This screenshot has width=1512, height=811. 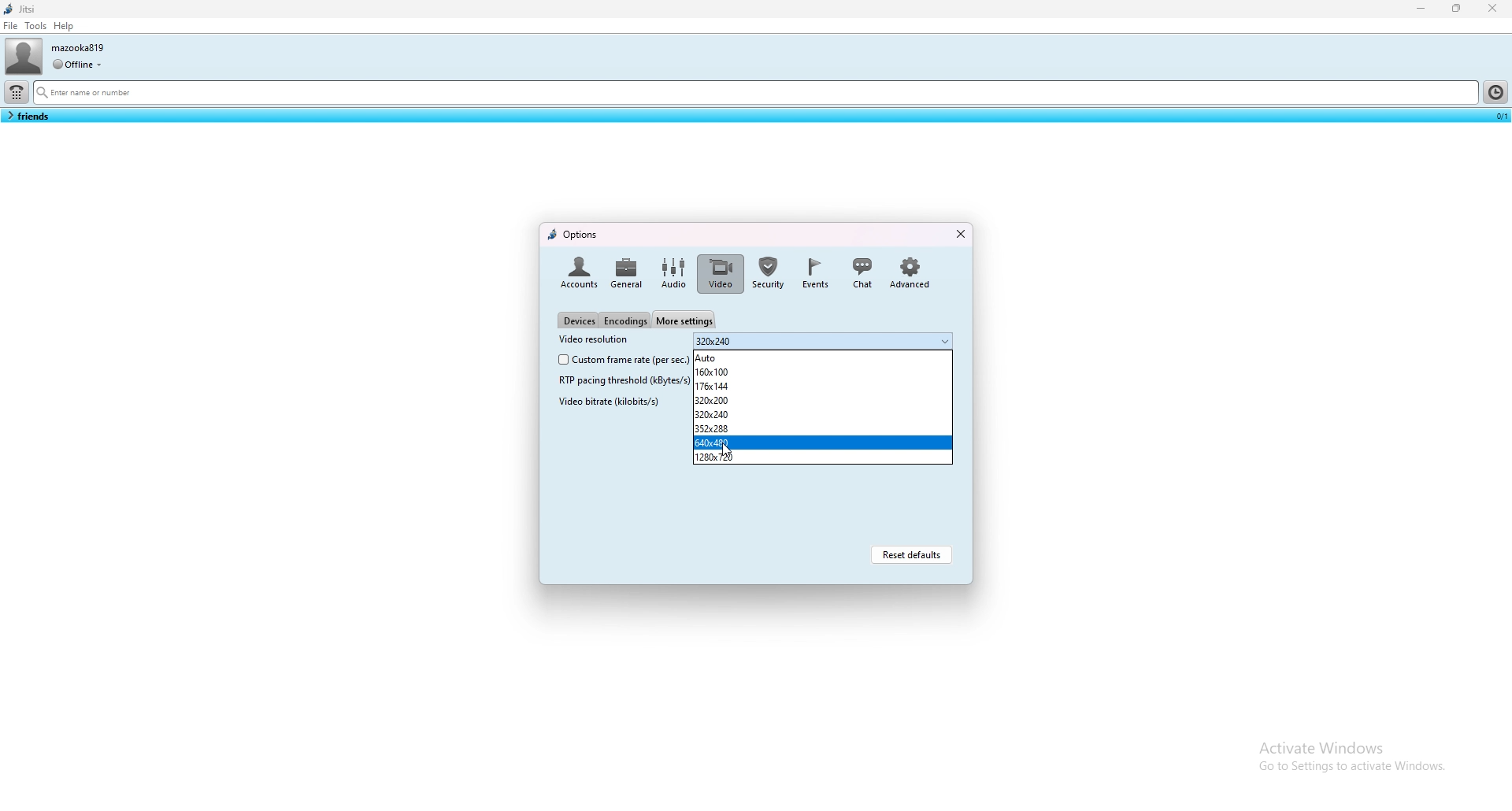 What do you see at coordinates (1499, 115) in the screenshot?
I see `selected` at bounding box center [1499, 115].